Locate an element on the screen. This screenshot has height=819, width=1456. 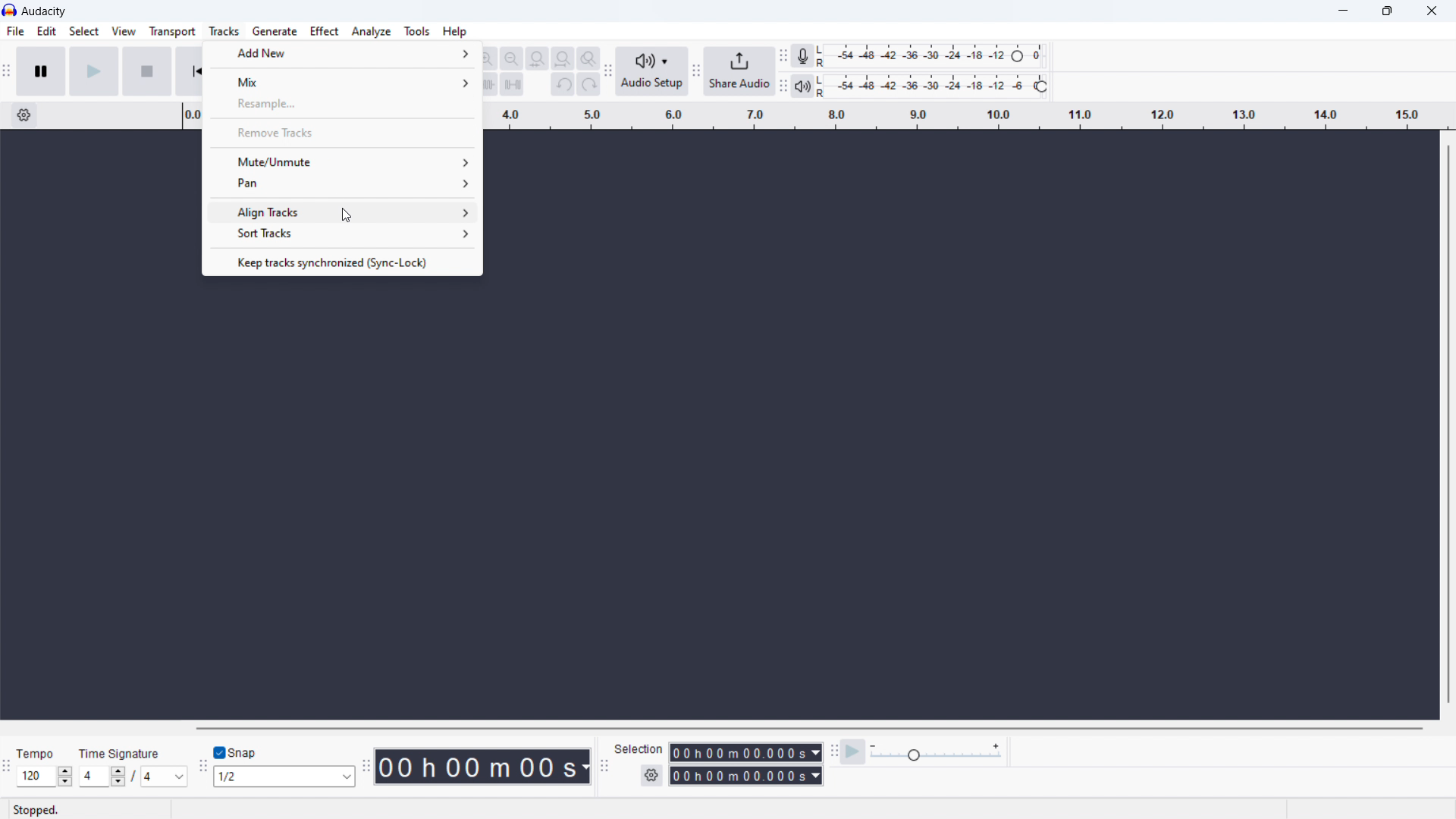
maximize is located at coordinates (1388, 11).